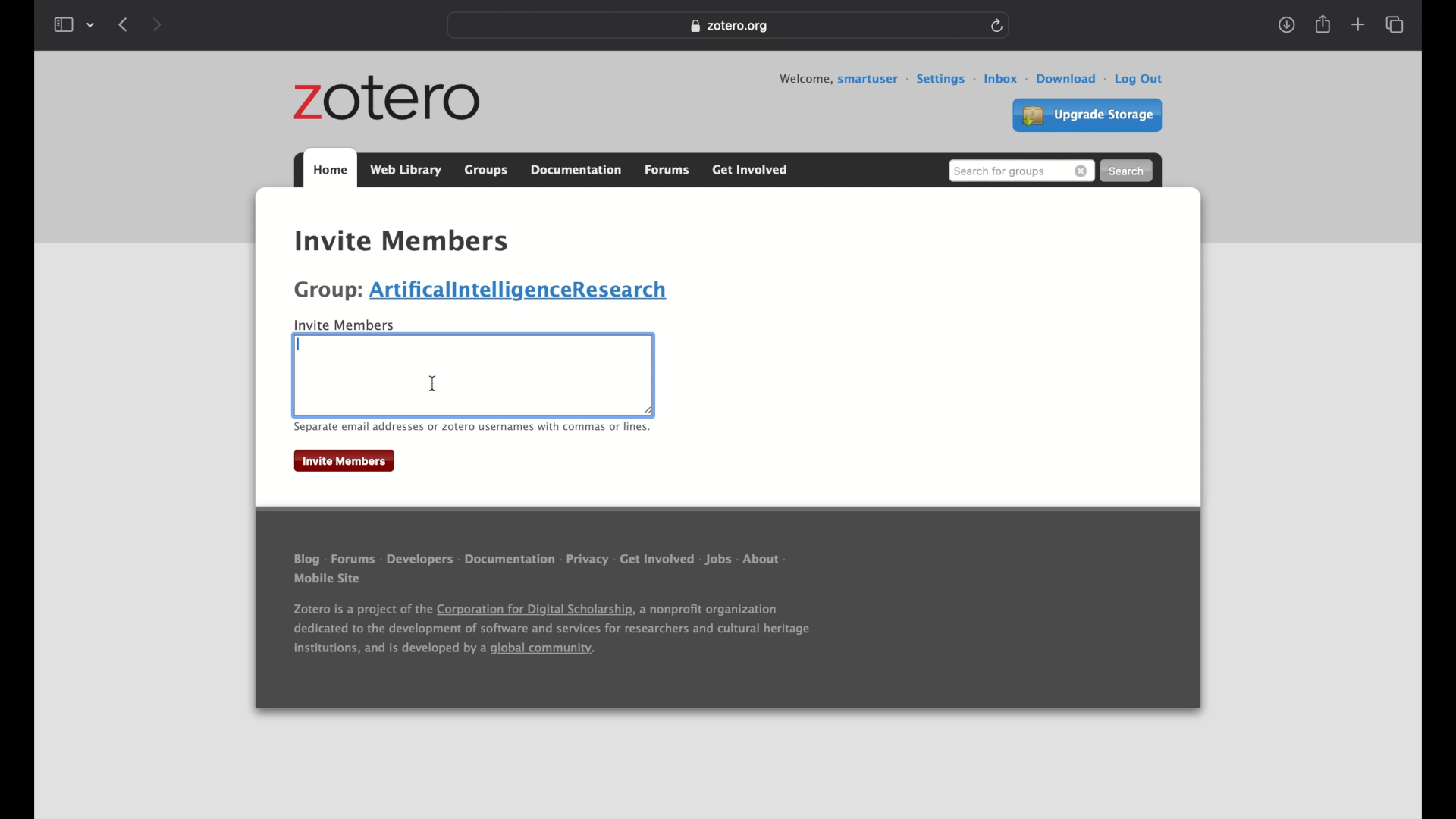  I want to click on zotero.org, so click(732, 27).